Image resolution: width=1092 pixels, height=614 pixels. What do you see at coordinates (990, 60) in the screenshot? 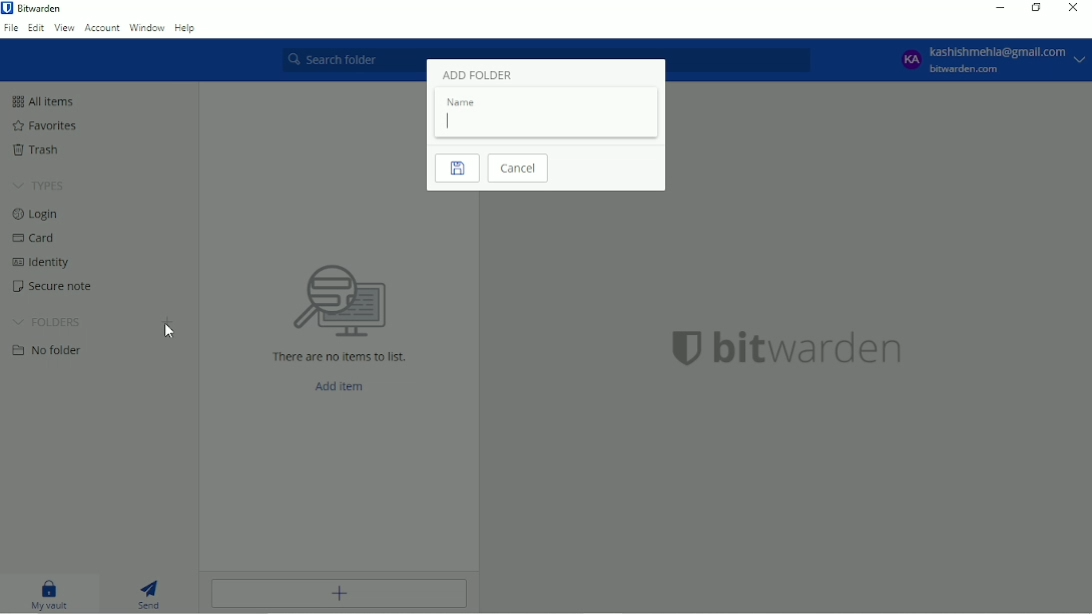
I see `Account options` at bounding box center [990, 60].